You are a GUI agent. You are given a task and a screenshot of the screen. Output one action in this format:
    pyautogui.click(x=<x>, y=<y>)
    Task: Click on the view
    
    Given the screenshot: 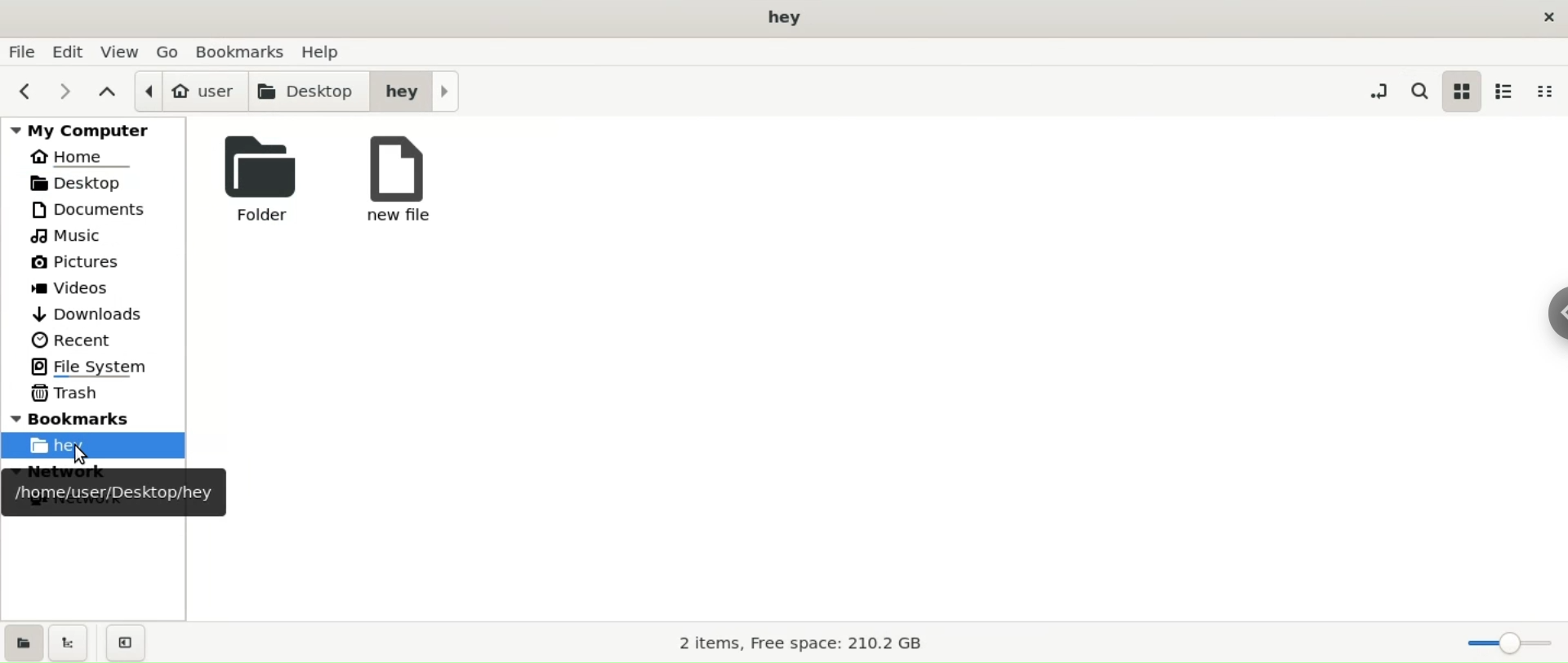 What is the action you would take?
    pyautogui.click(x=121, y=51)
    